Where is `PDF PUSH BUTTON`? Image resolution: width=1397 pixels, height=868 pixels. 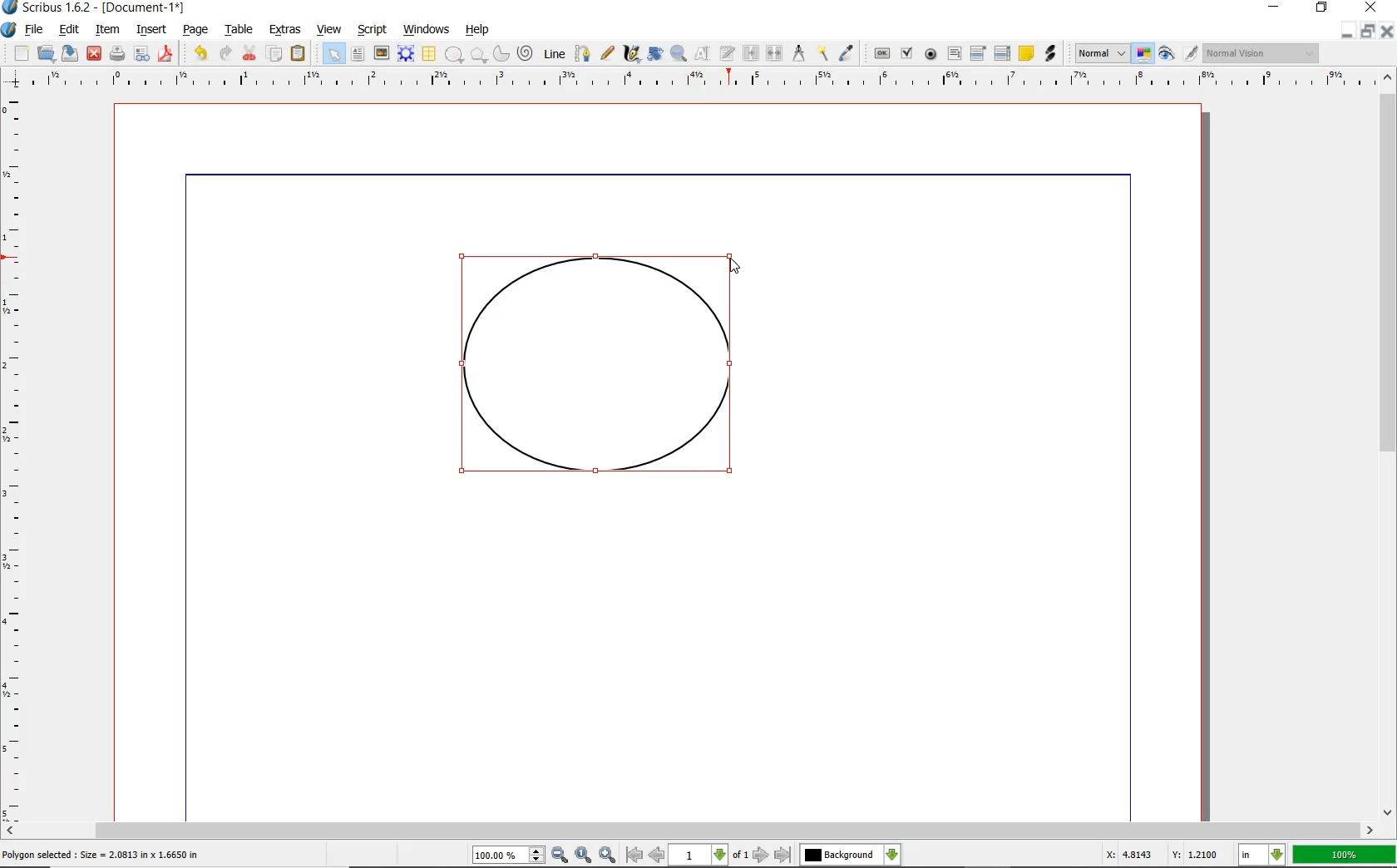 PDF PUSH BUTTON is located at coordinates (881, 54).